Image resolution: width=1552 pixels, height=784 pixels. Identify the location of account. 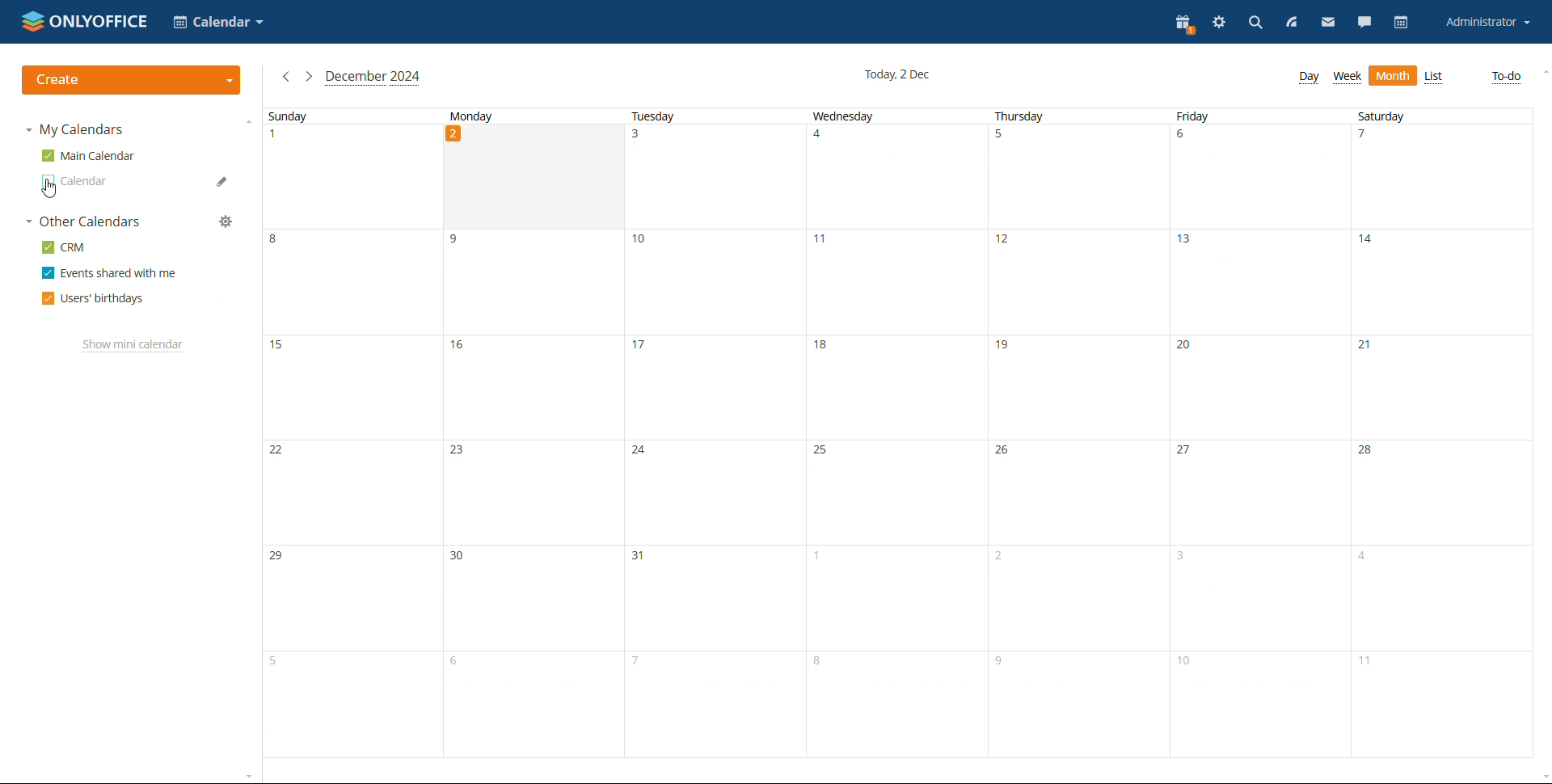
(1483, 23).